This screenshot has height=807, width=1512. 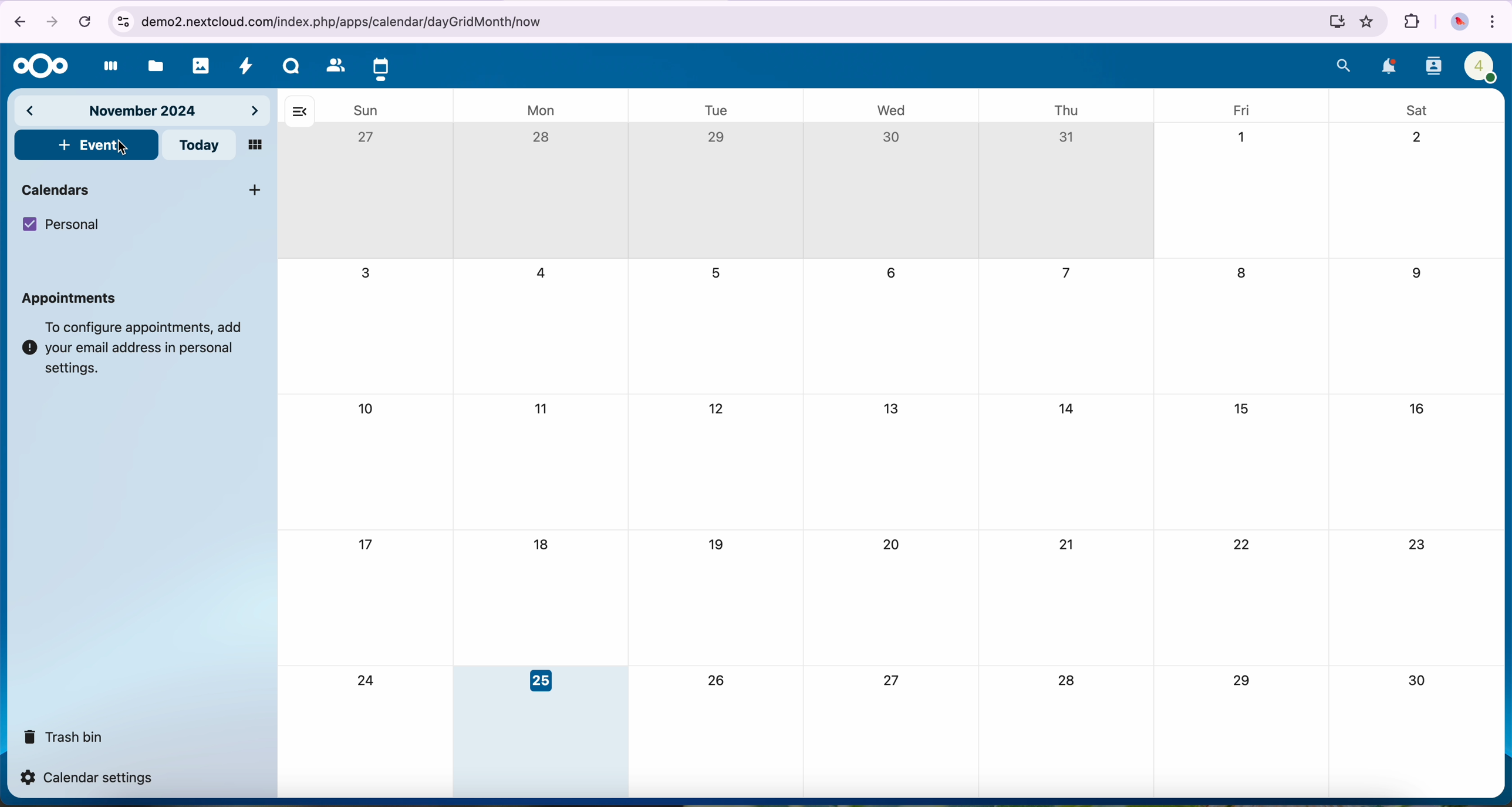 I want to click on extensions, so click(x=1410, y=22).